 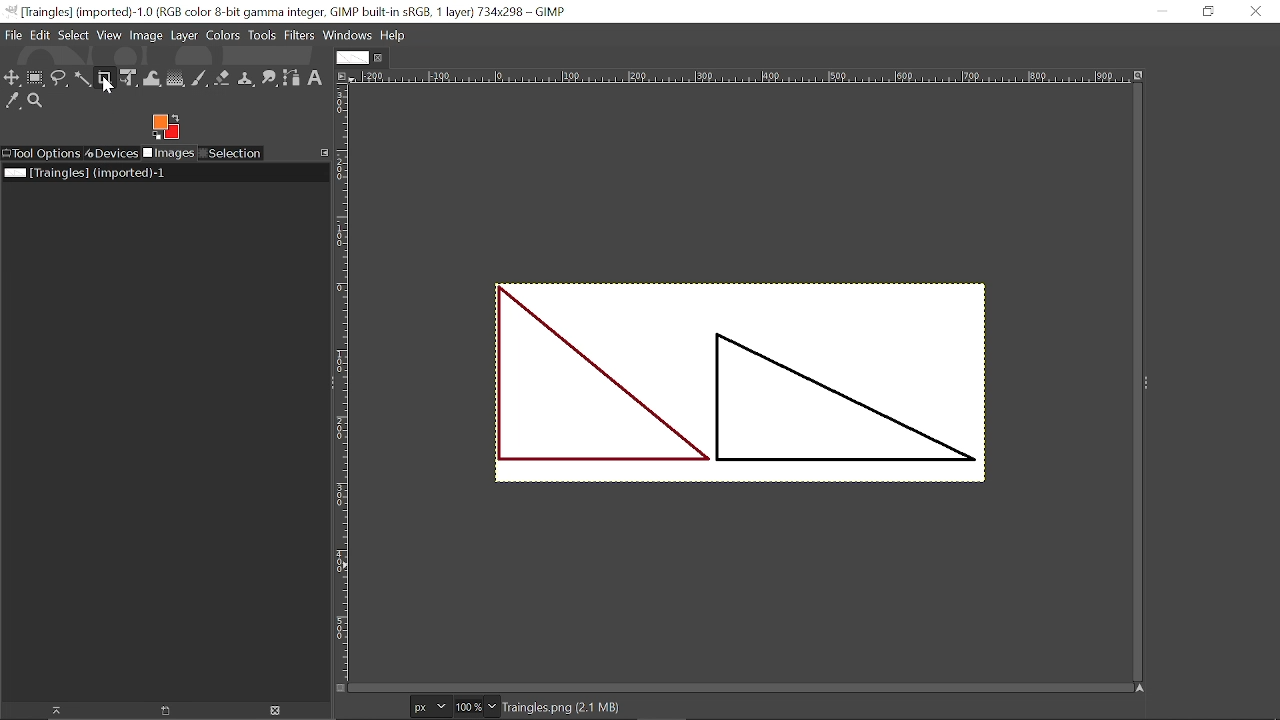 I want to click on Configure this tab, so click(x=322, y=153).